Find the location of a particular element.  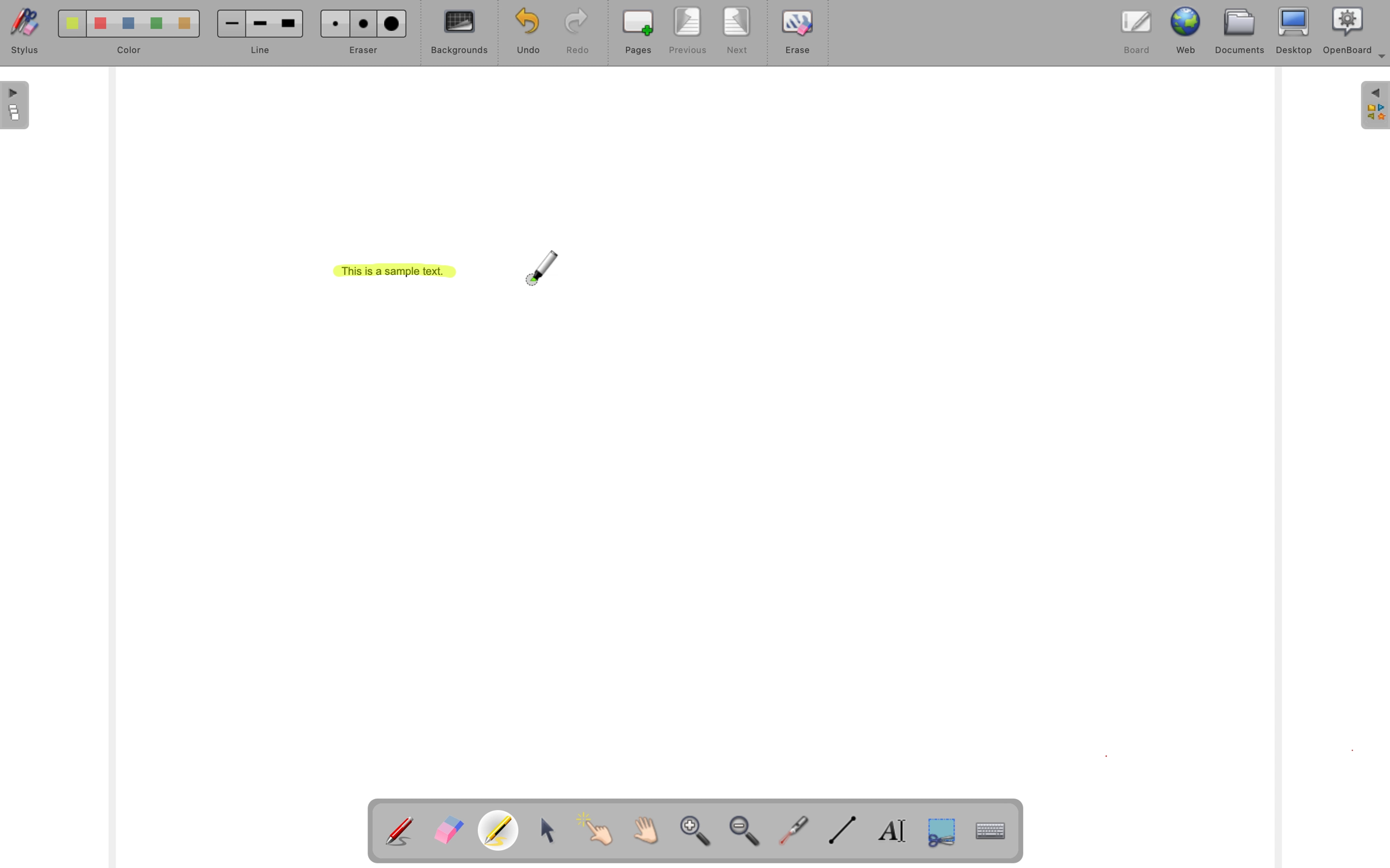

The flatplan (left panel) is located at coordinates (16, 106).